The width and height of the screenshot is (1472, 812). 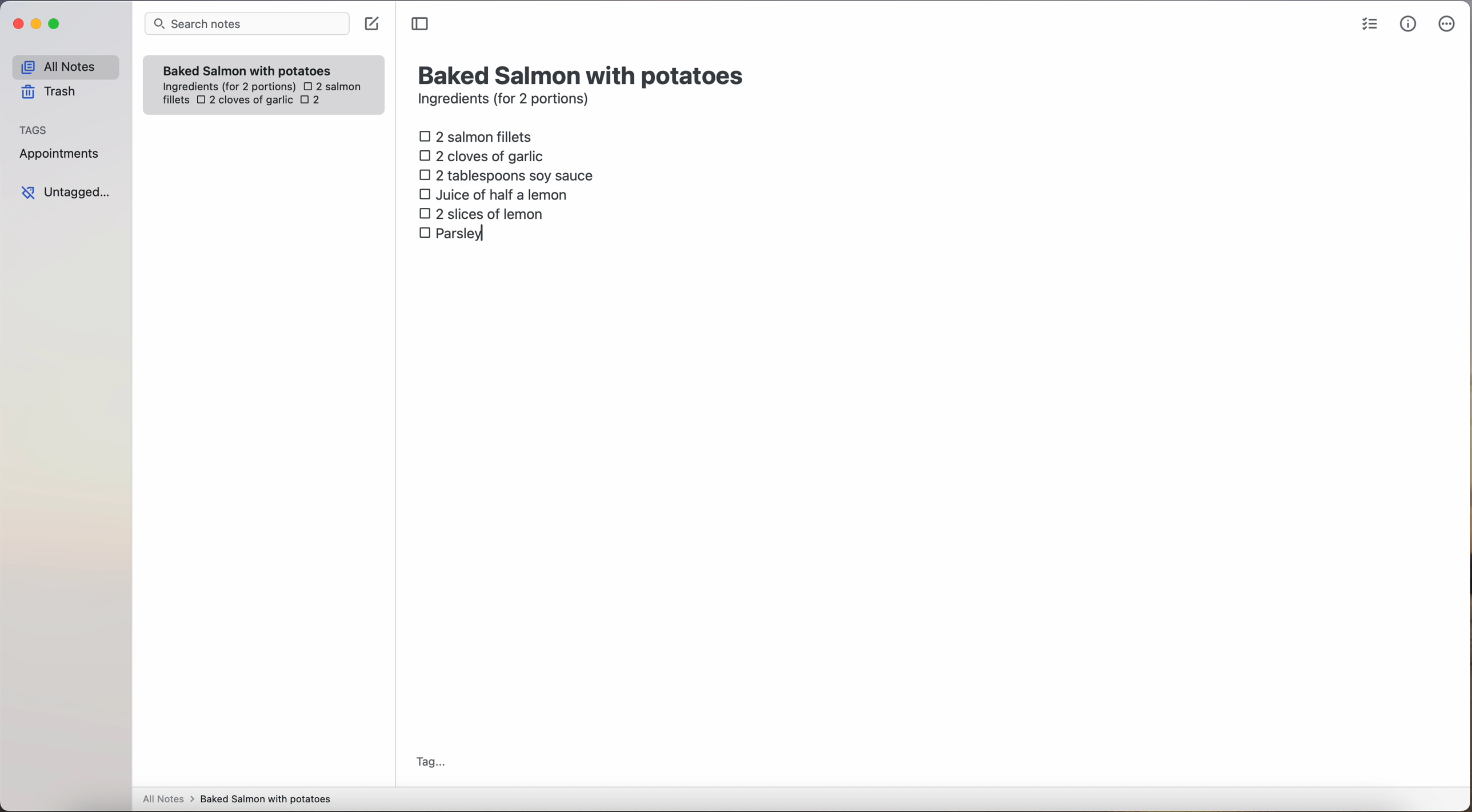 What do you see at coordinates (485, 154) in the screenshot?
I see `2 cloves of garlic` at bounding box center [485, 154].